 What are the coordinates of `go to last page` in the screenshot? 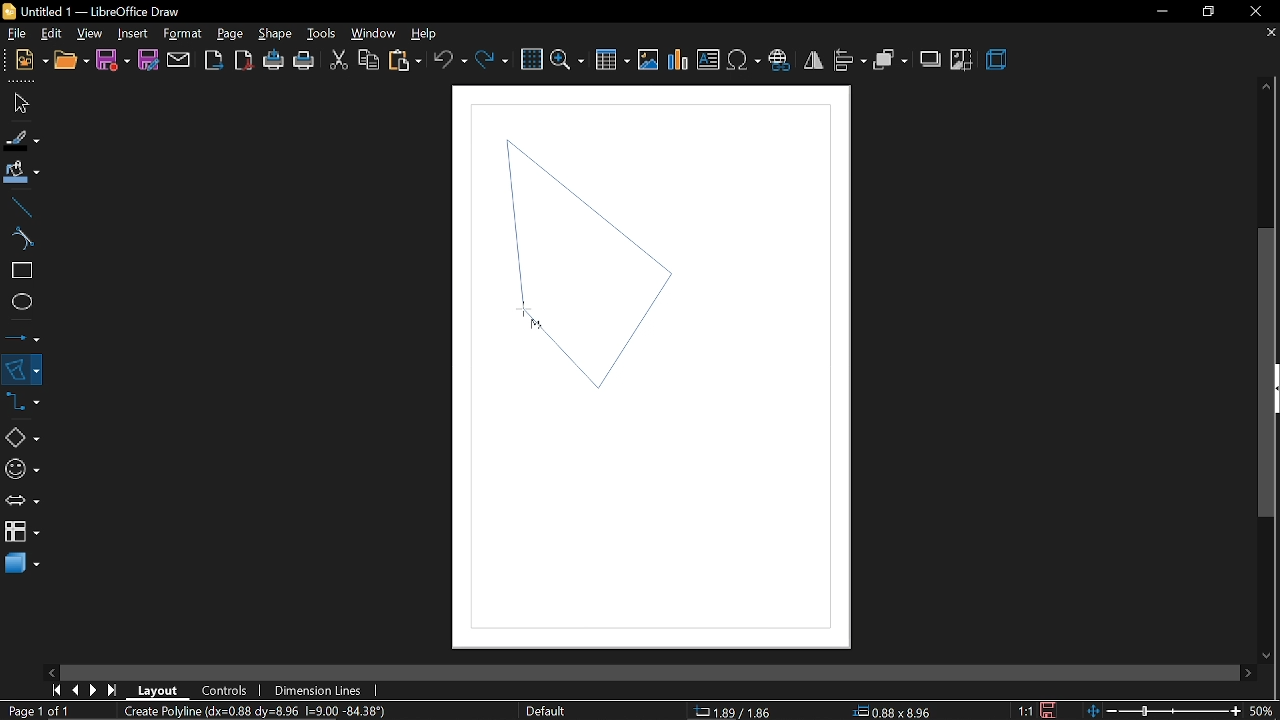 It's located at (115, 687).